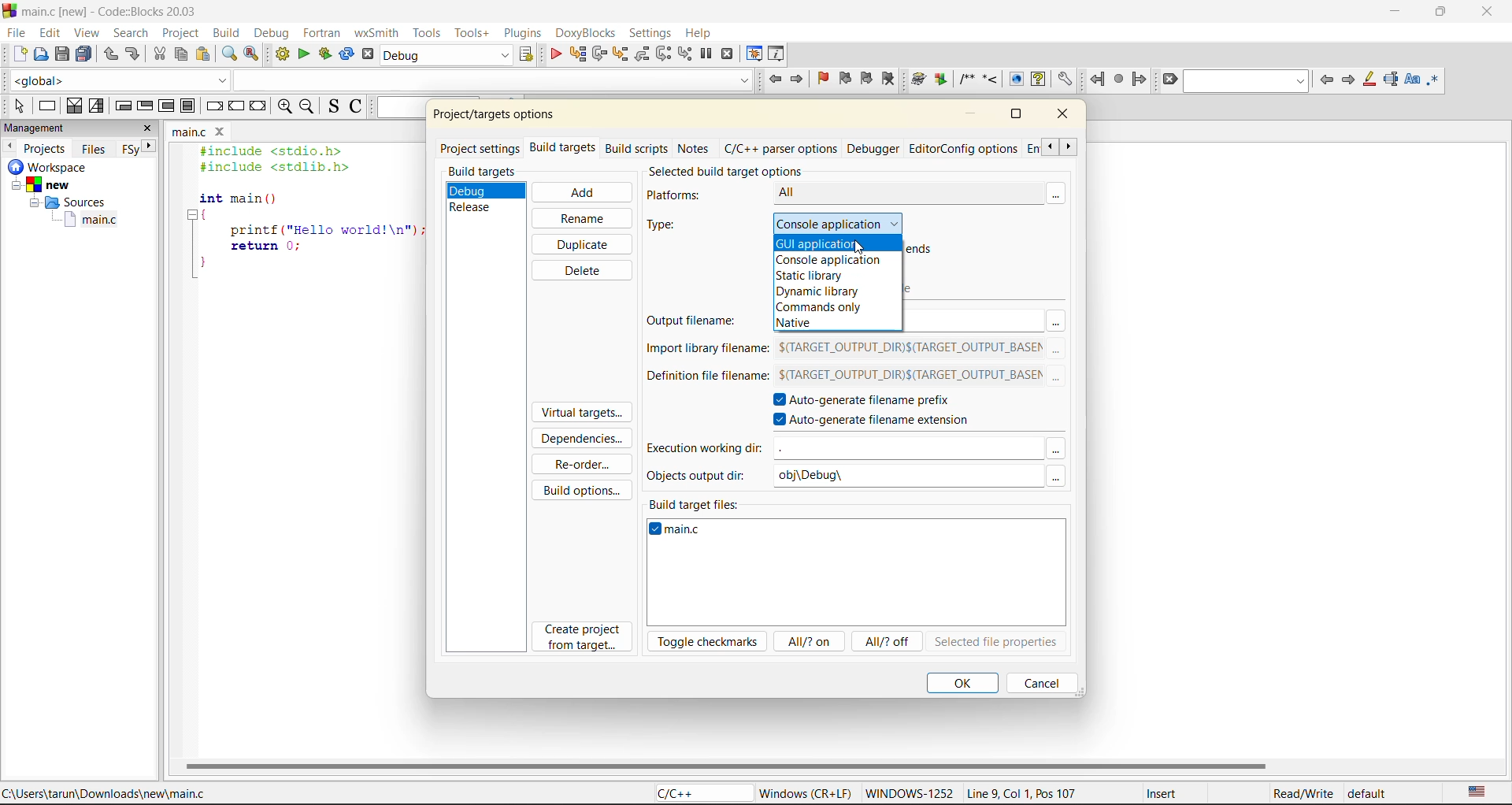 This screenshot has width=1512, height=805. I want to click on redo, so click(135, 55).